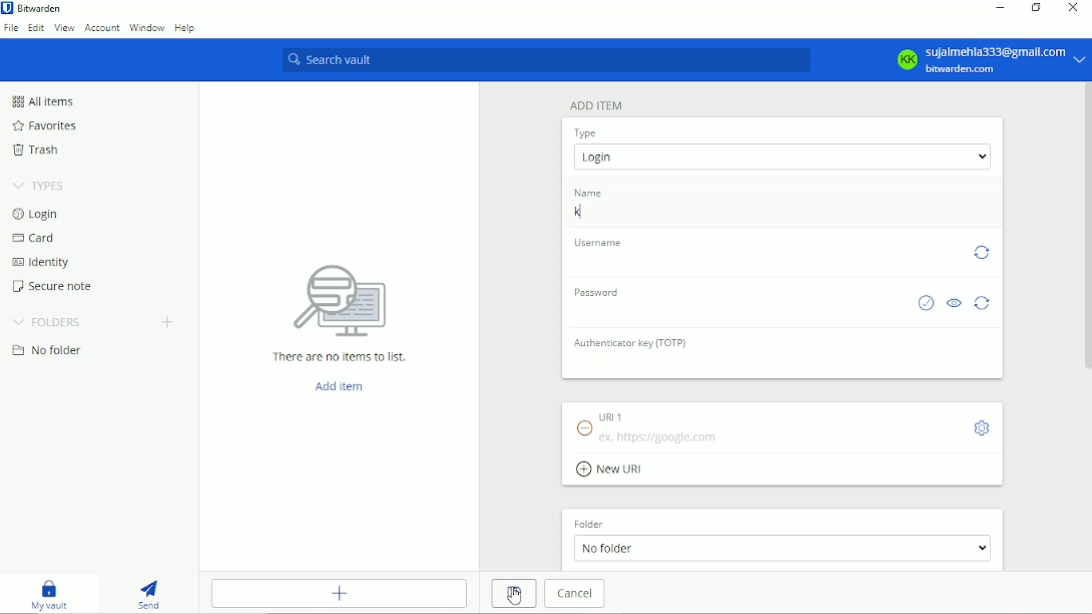 The height and width of the screenshot is (614, 1092). I want to click on All items, so click(42, 101).